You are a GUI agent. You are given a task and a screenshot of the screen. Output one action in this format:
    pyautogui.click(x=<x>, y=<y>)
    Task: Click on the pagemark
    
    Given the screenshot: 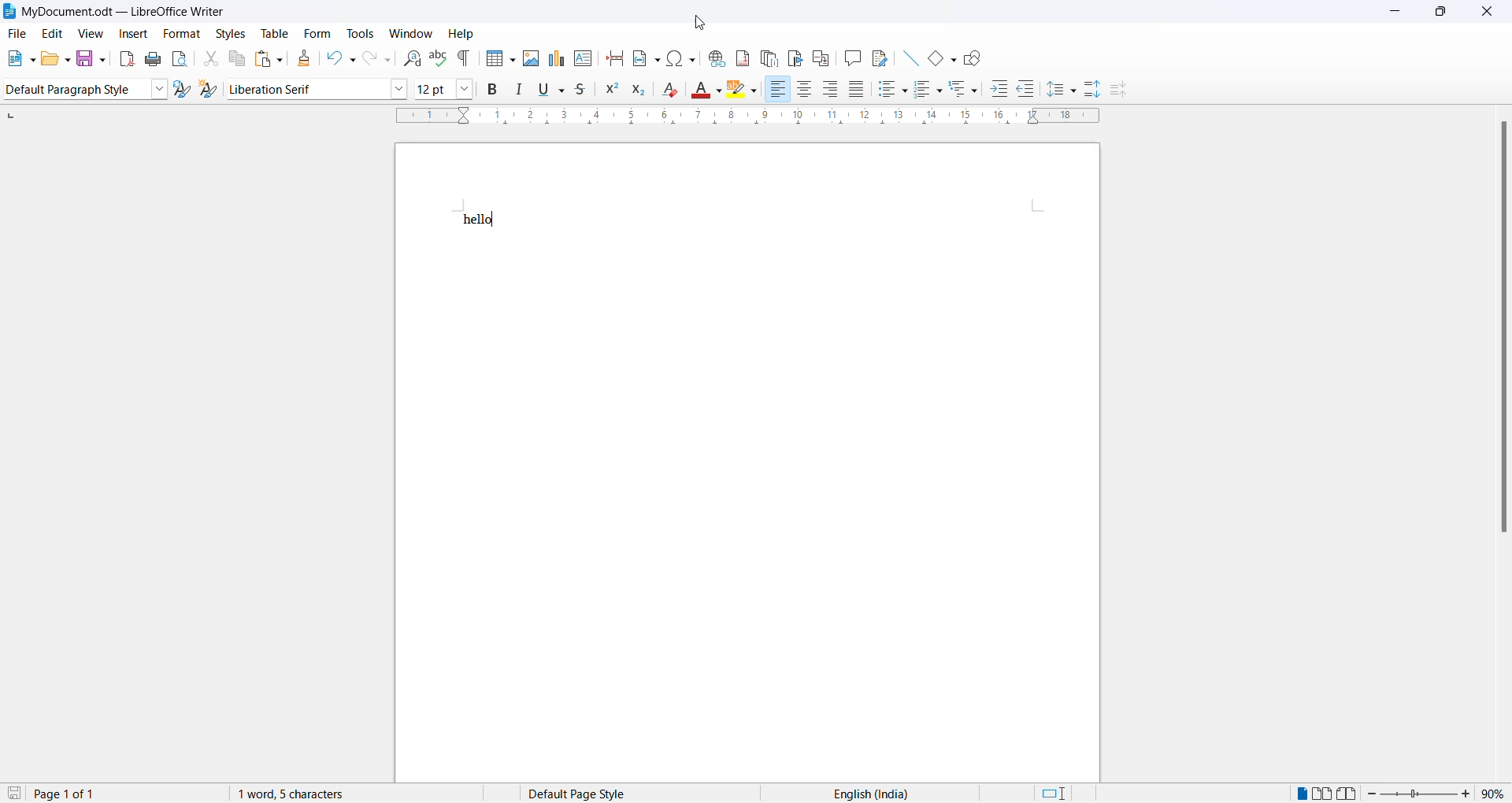 What is the action you would take?
    pyautogui.click(x=11, y=116)
    